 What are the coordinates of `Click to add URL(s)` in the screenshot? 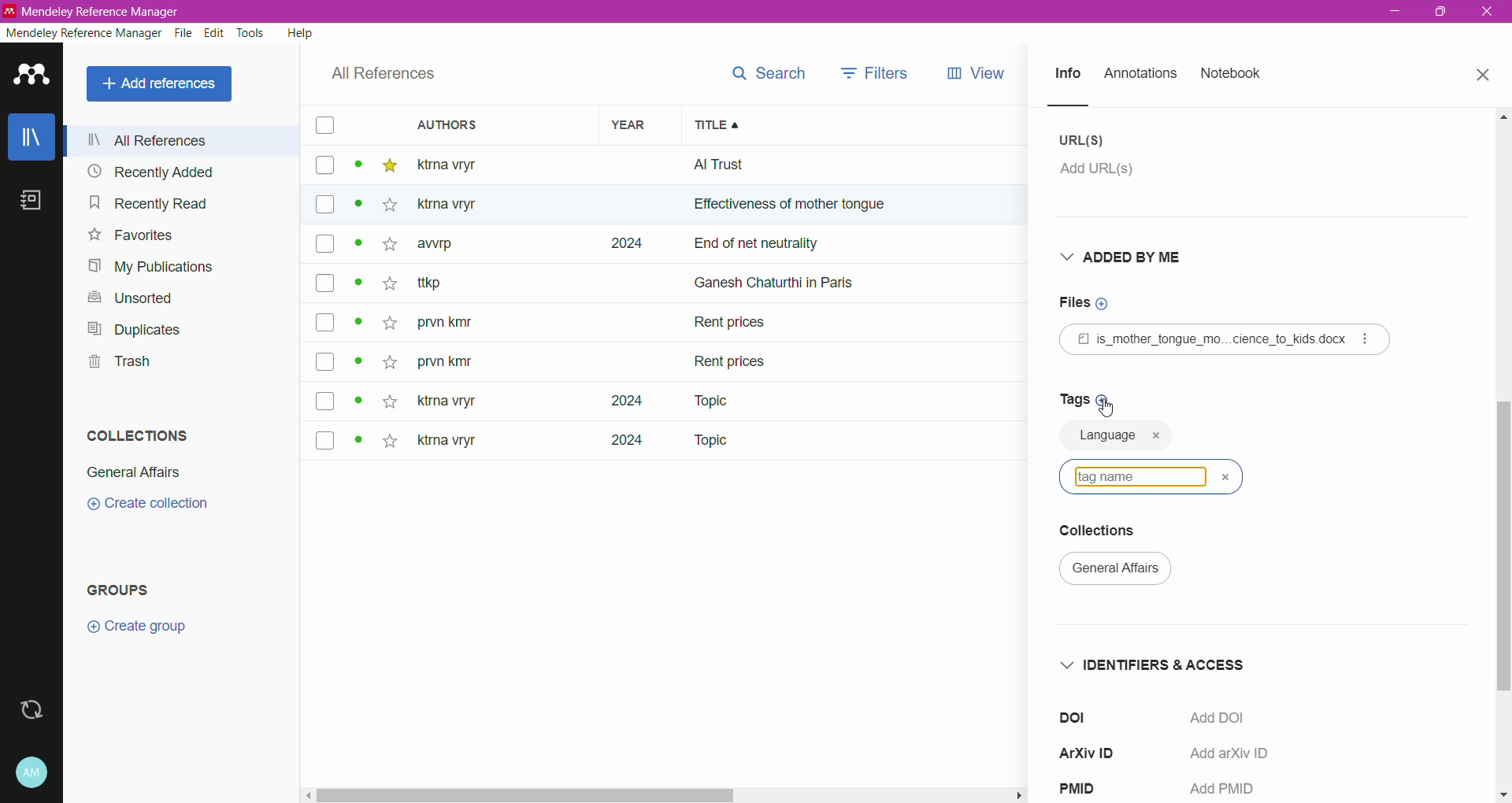 It's located at (1107, 173).